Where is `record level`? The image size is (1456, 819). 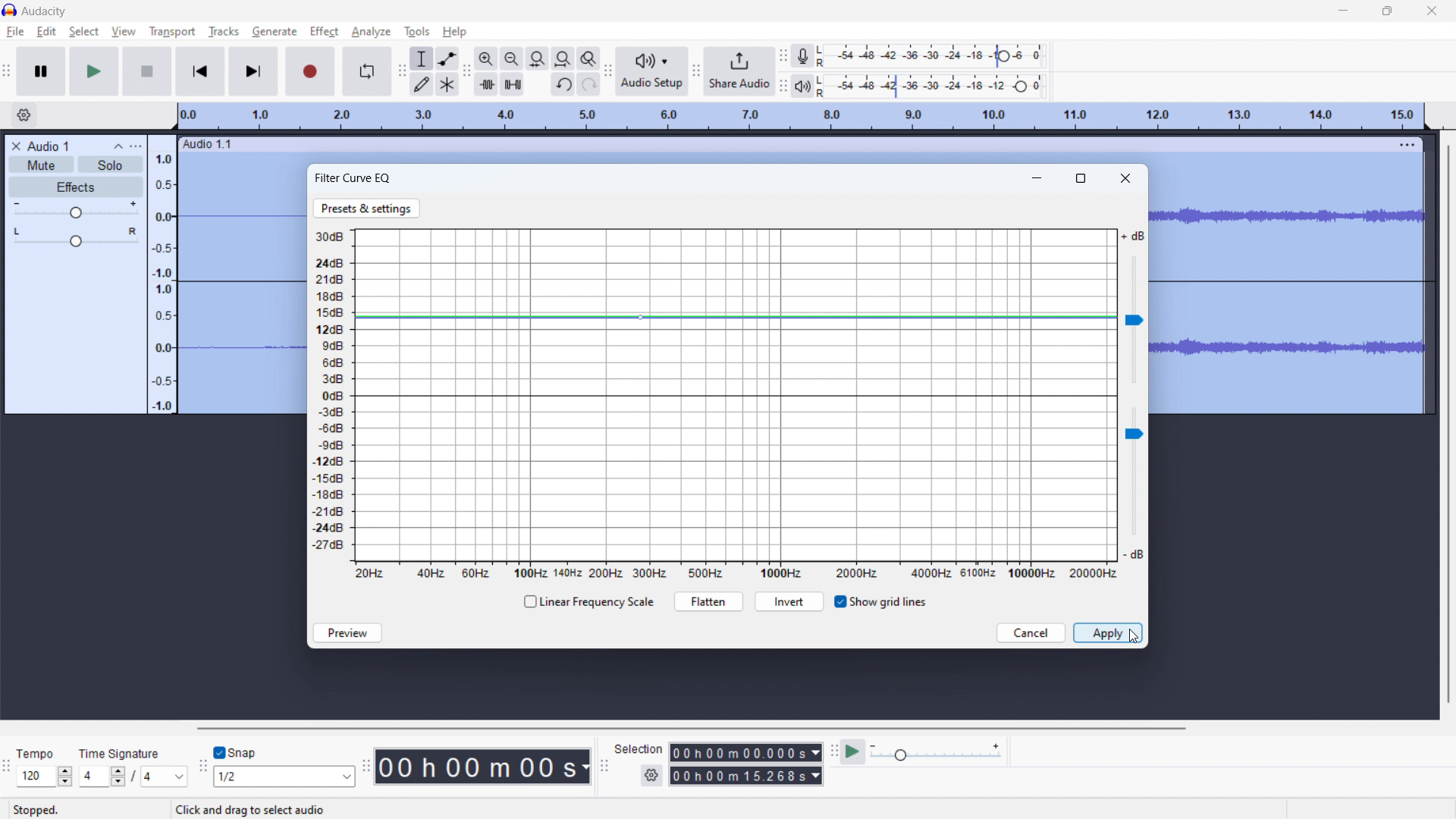 record level is located at coordinates (935, 56).